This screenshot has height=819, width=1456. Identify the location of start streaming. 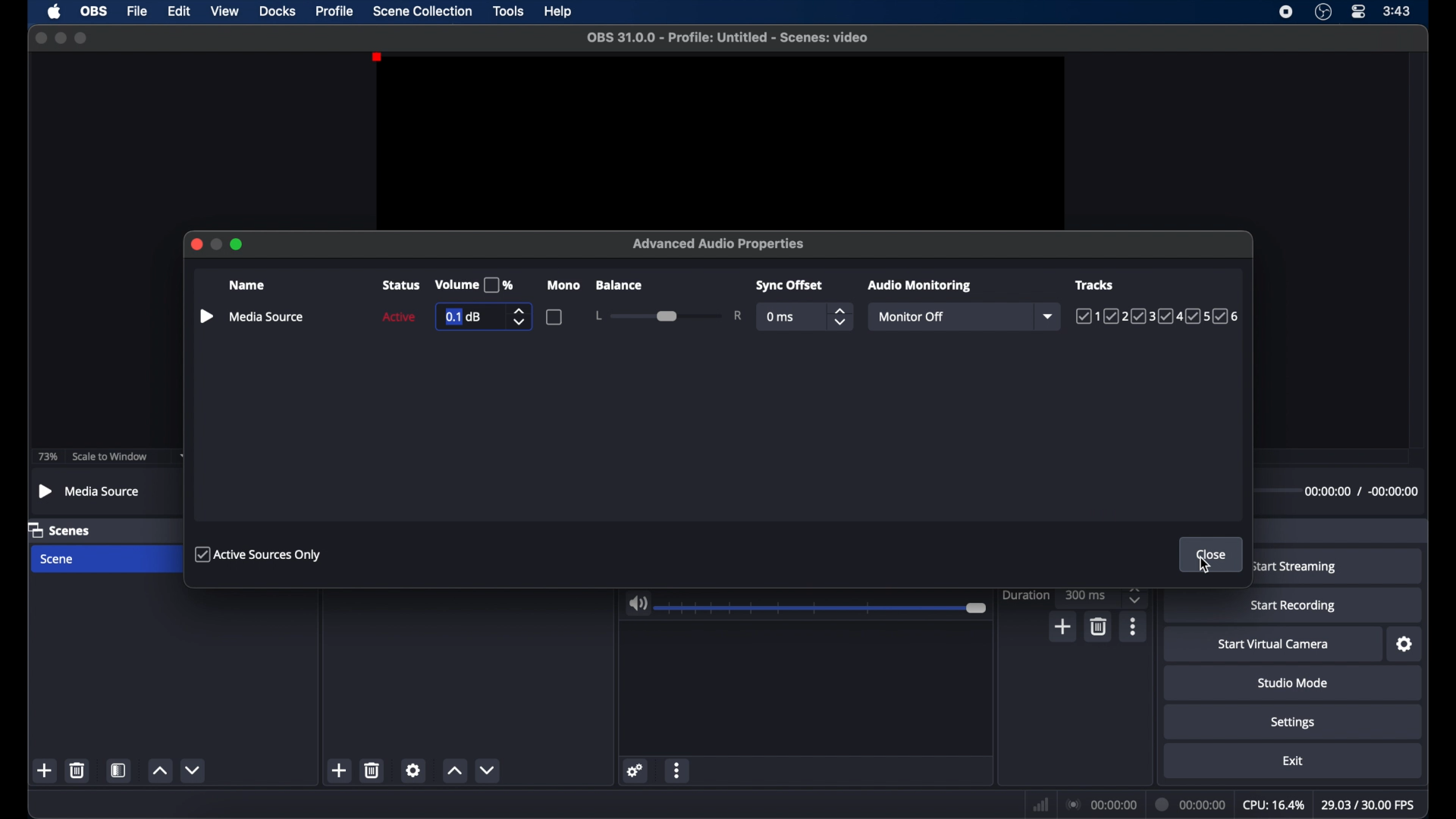
(1294, 567).